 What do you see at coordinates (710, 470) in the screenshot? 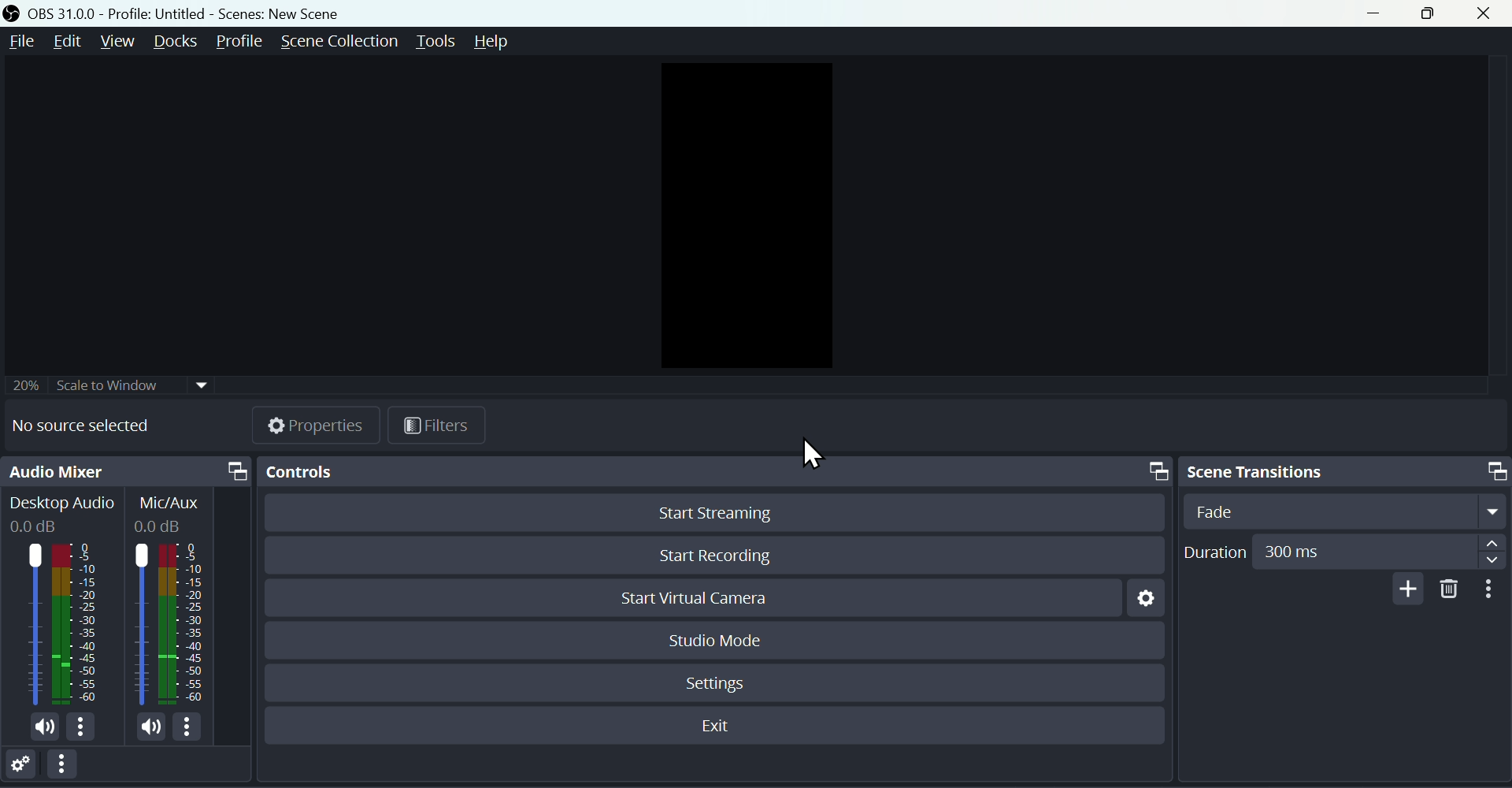
I see `Controls` at bounding box center [710, 470].